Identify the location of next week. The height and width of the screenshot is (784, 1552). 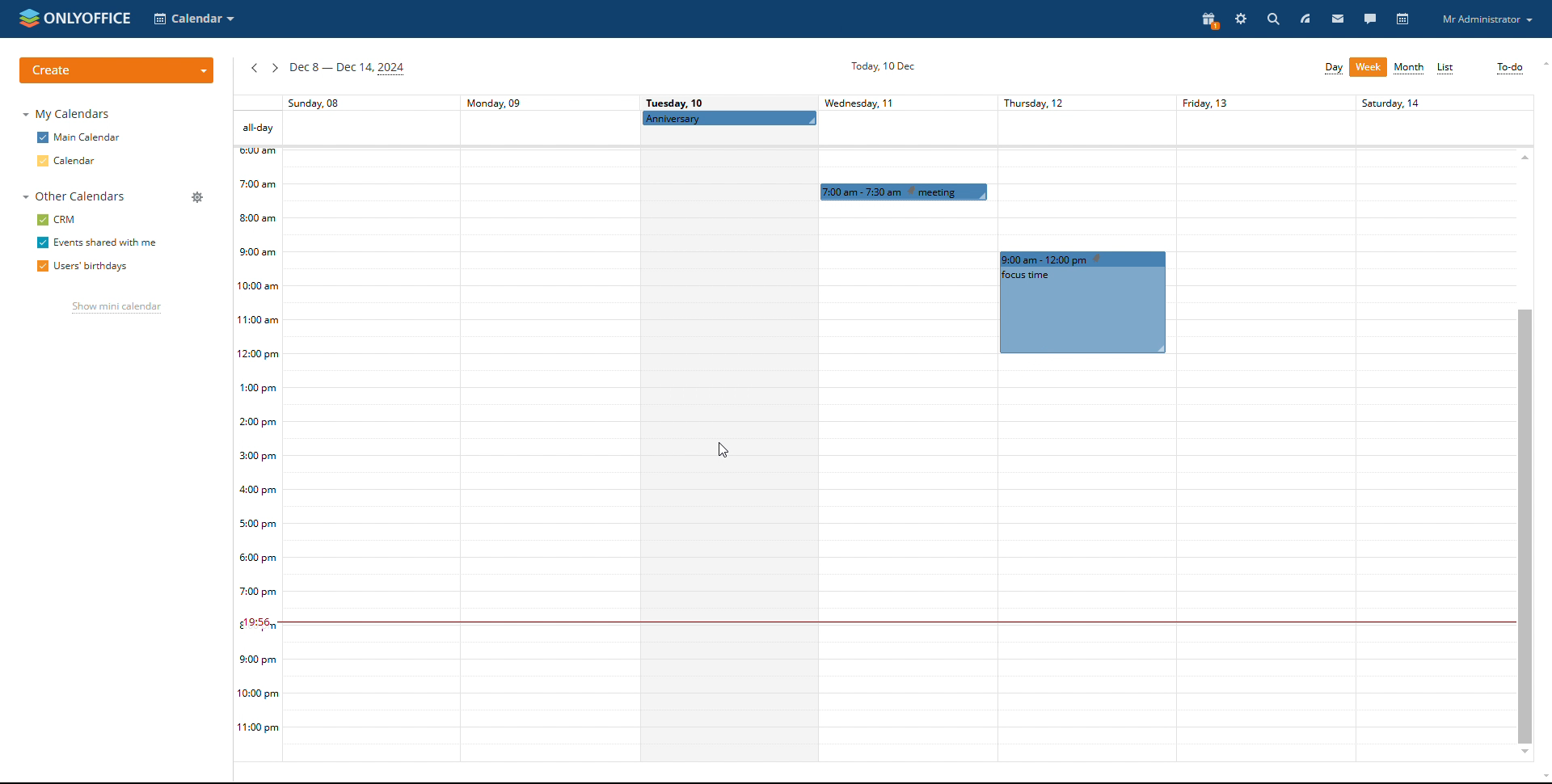
(274, 68).